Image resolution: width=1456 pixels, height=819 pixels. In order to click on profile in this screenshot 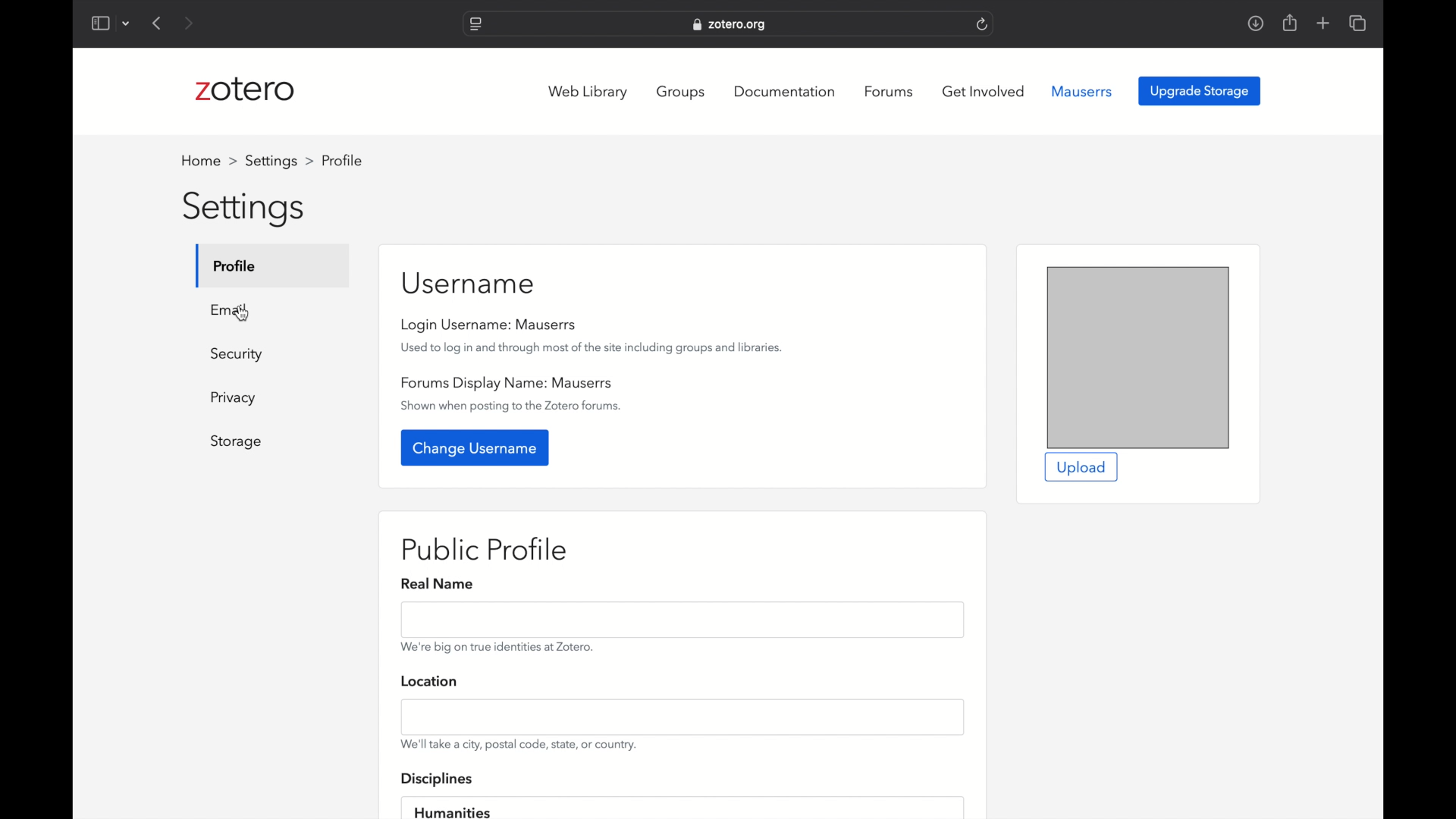, I will do `click(236, 265)`.